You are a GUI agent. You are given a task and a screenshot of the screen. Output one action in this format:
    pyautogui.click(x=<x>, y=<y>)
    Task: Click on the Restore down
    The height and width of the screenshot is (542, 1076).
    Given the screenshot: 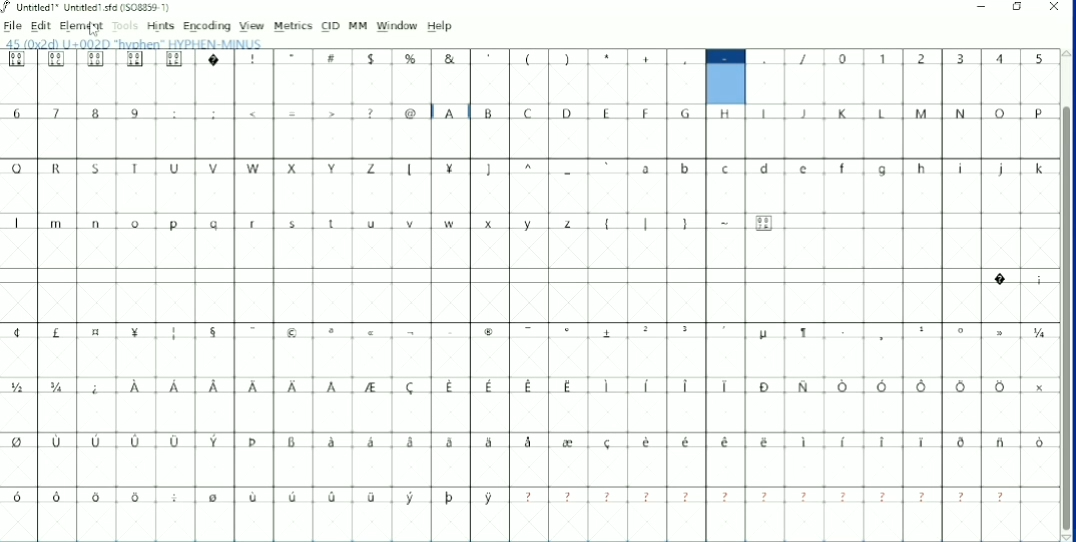 What is the action you would take?
    pyautogui.click(x=1019, y=7)
    